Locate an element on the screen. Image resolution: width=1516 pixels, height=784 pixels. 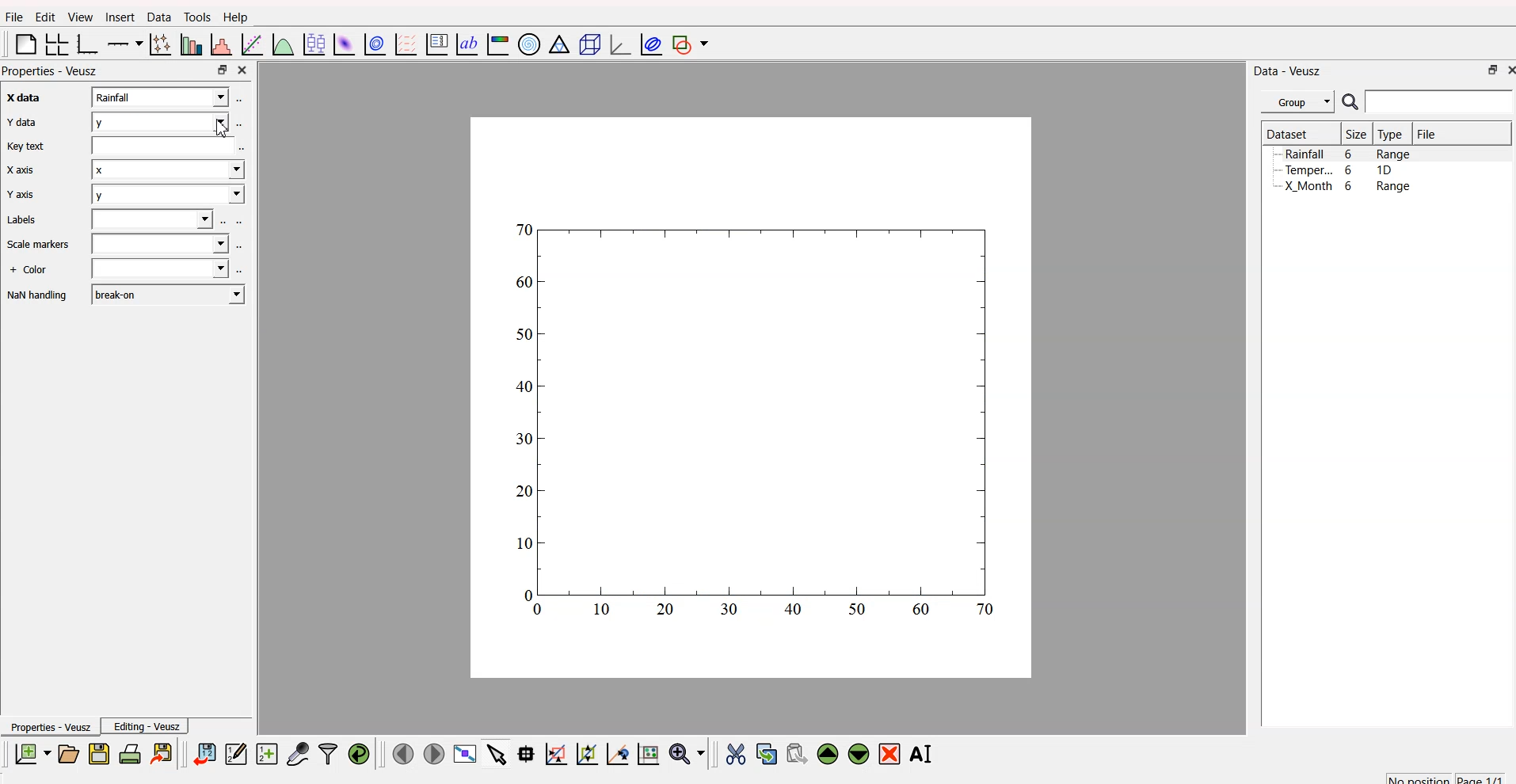
X Month 6 Range is located at coordinates (1347, 186).